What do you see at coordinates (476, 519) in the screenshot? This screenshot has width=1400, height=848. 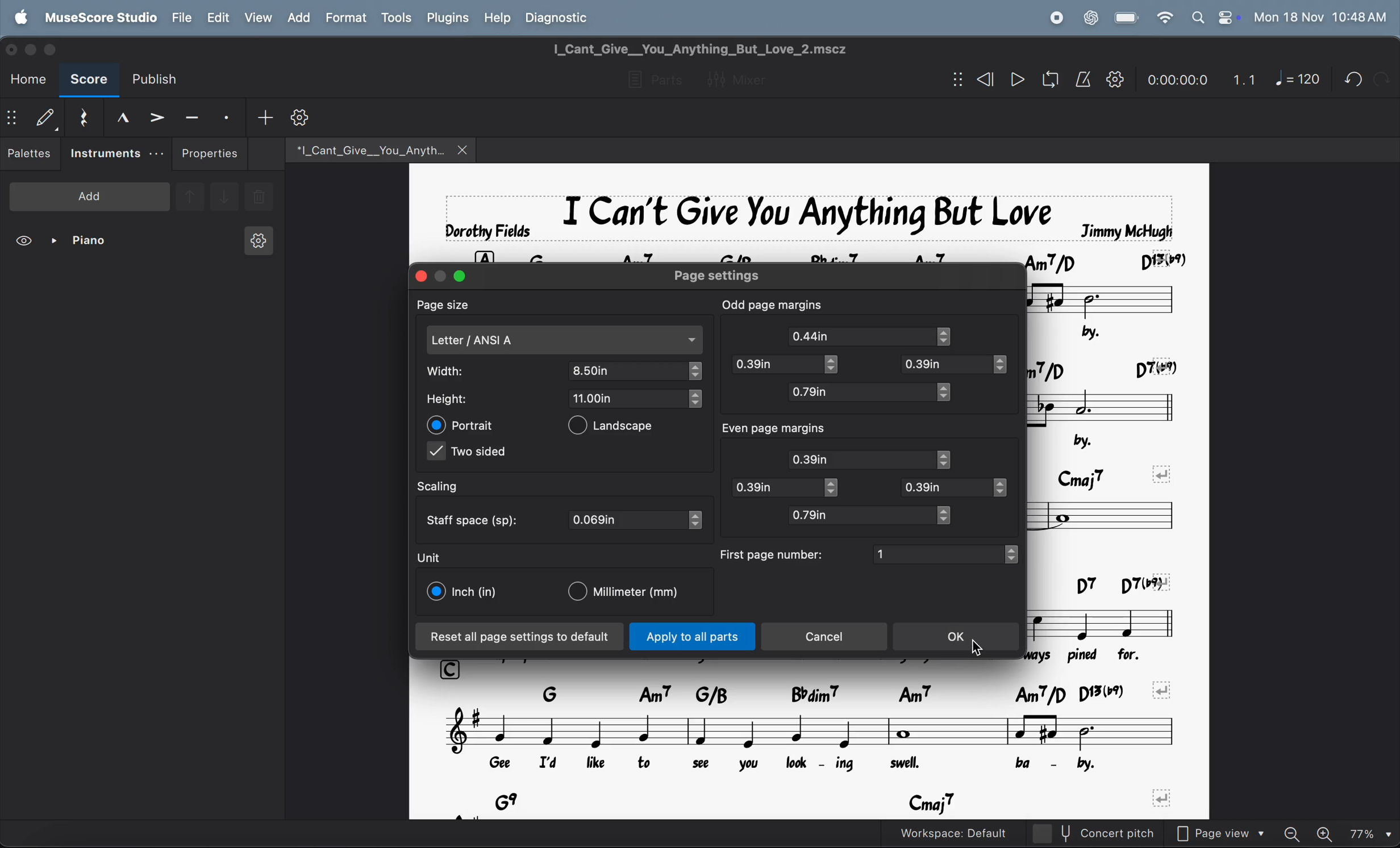 I see `staff space (sp)` at bounding box center [476, 519].